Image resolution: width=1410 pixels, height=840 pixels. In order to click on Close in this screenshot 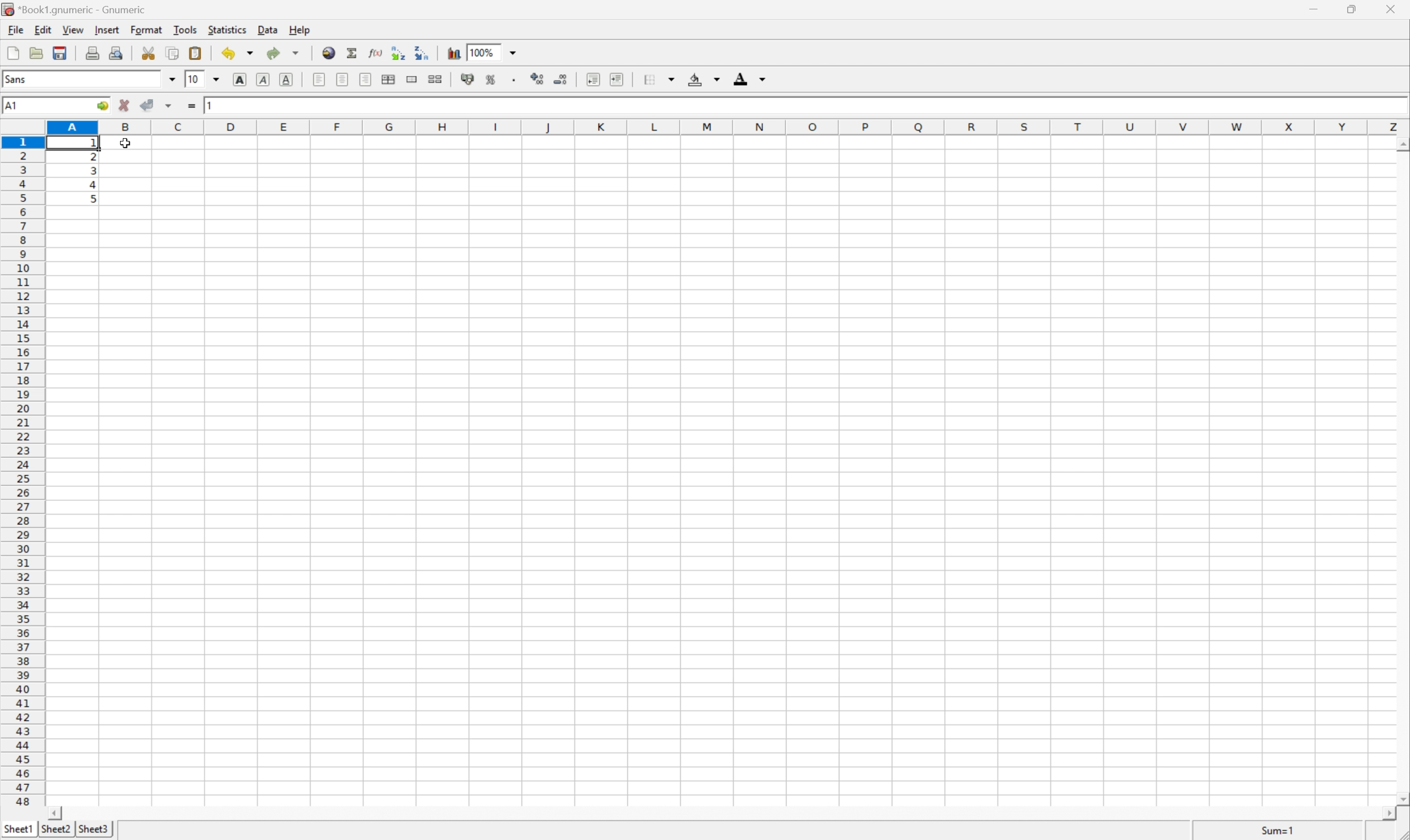, I will do `click(1391, 8)`.